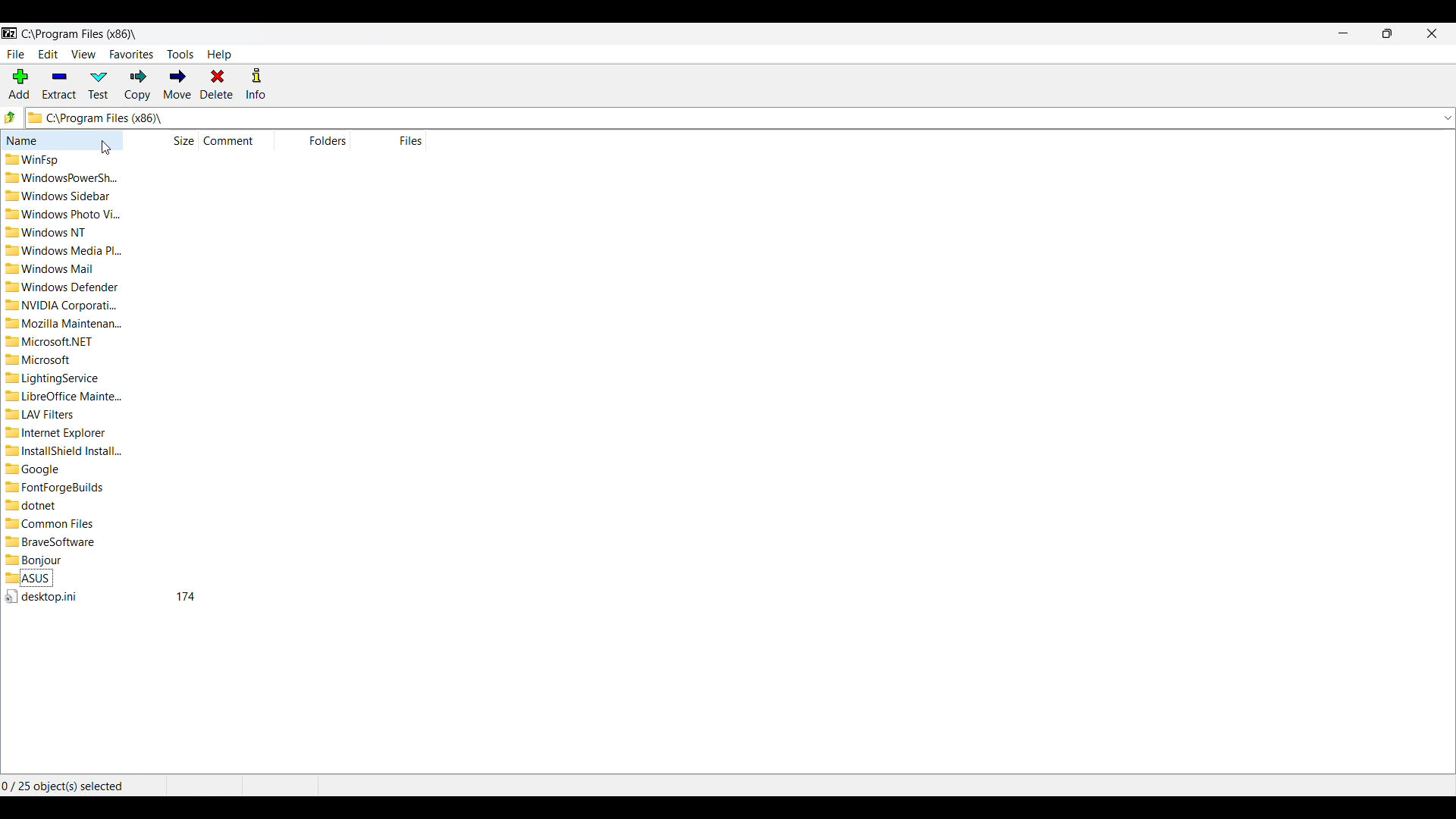  Describe the element at coordinates (64, 249) in the screenshot. I see `Windows Media Pl..` at that location.